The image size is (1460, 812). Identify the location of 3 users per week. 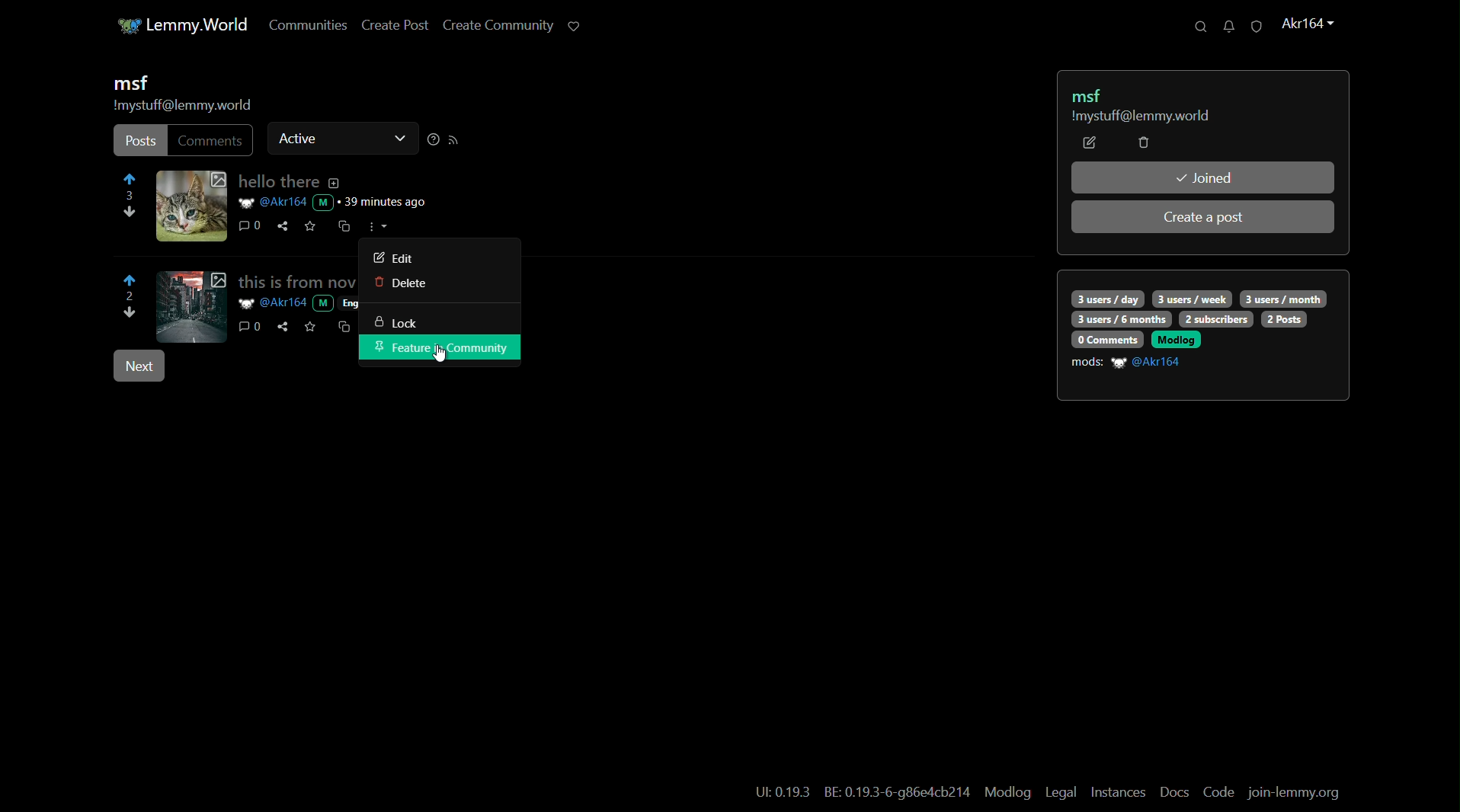
(1193, 298).